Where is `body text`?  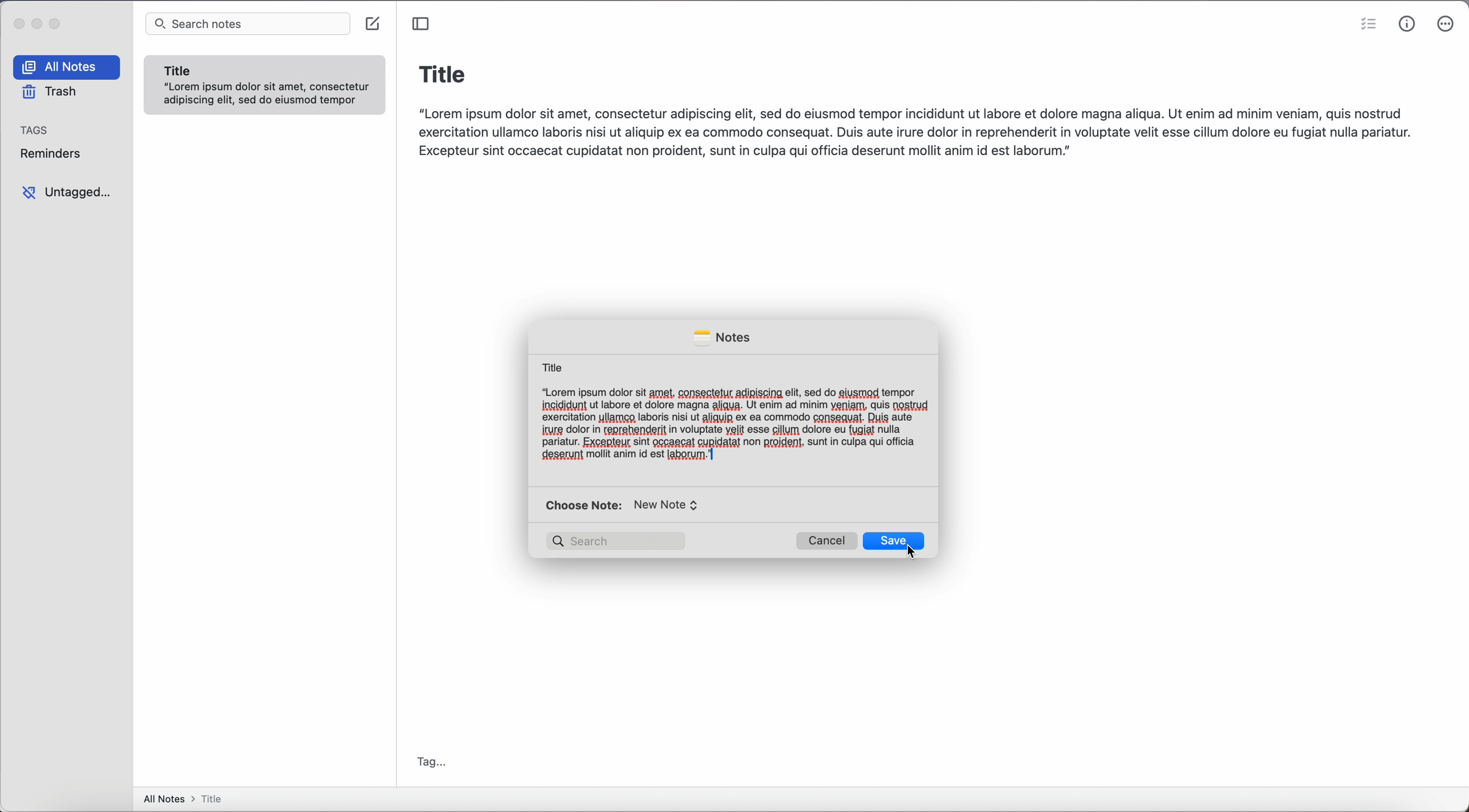 body text is located at coordinates (918, 130).